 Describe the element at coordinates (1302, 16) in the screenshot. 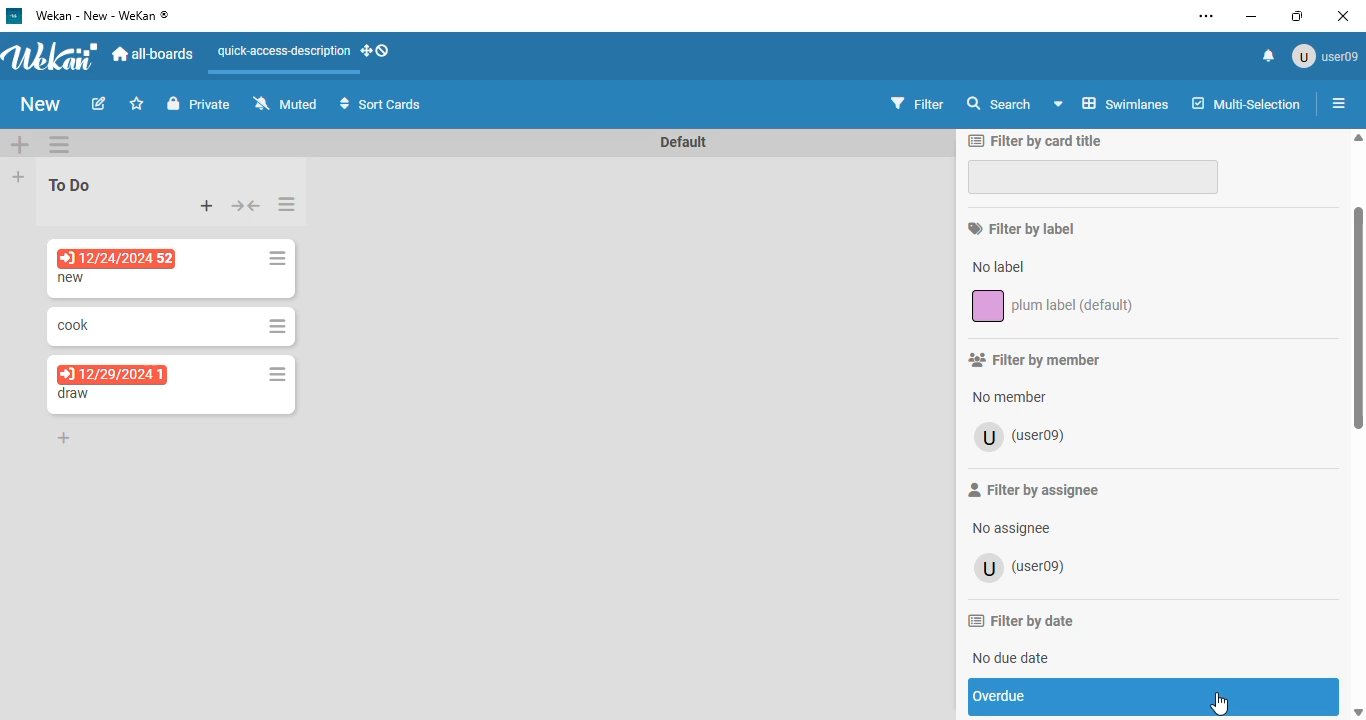

I see `maximize` at that location.